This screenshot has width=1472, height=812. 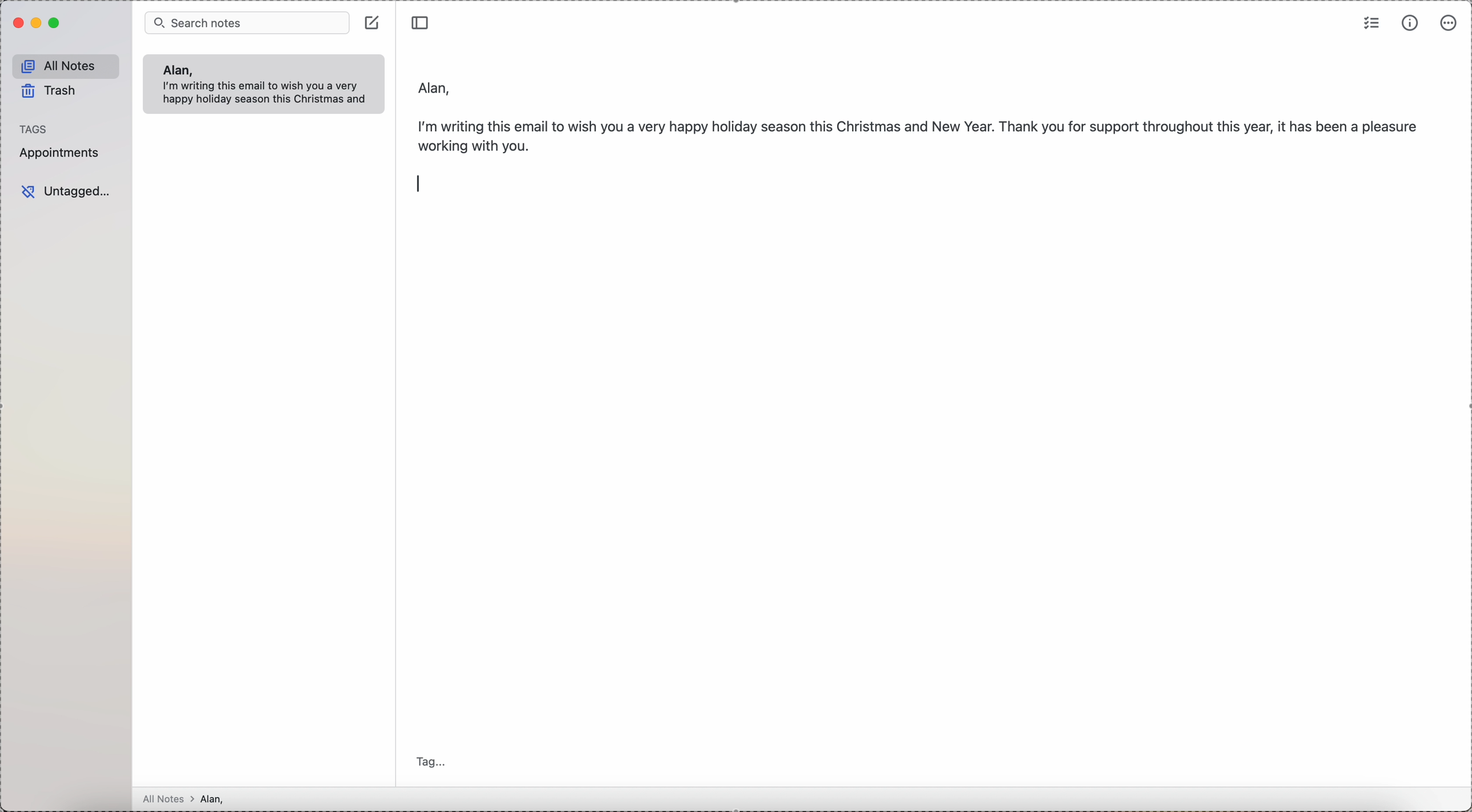 I want to click on enter, so click(x=419, y=183).